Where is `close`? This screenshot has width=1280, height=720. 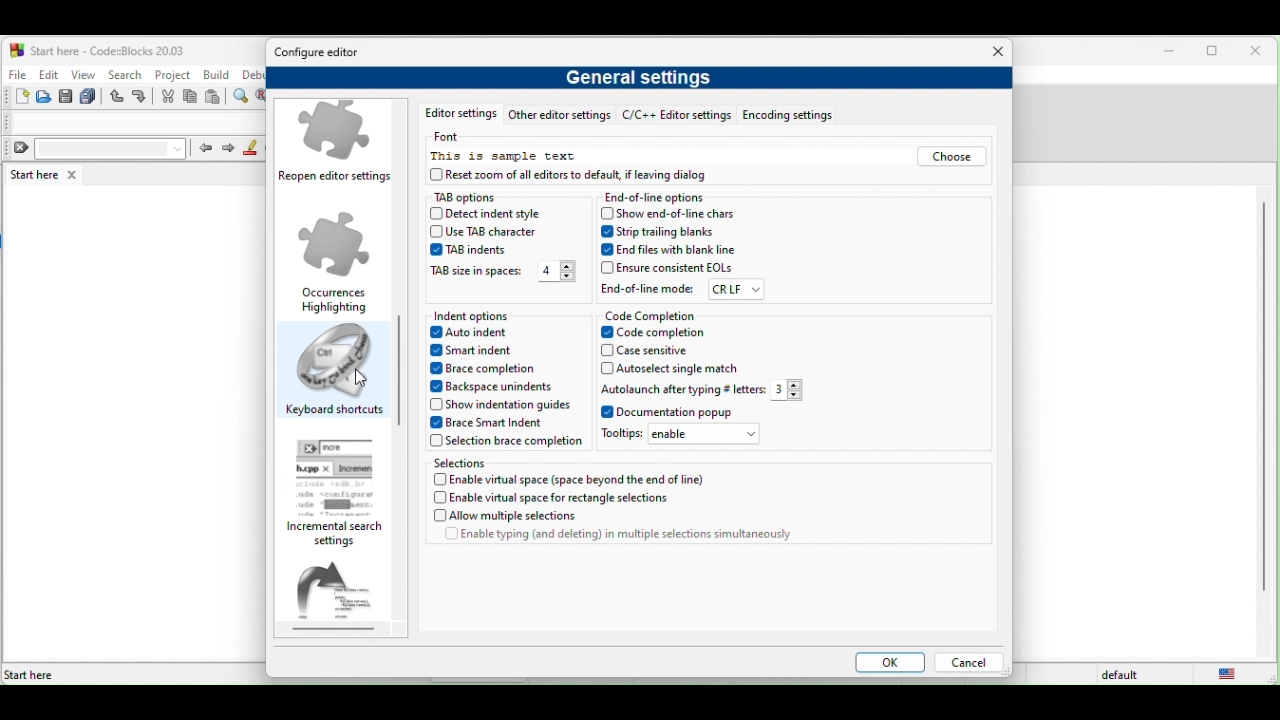 close is located at coordinates (1260, 52).